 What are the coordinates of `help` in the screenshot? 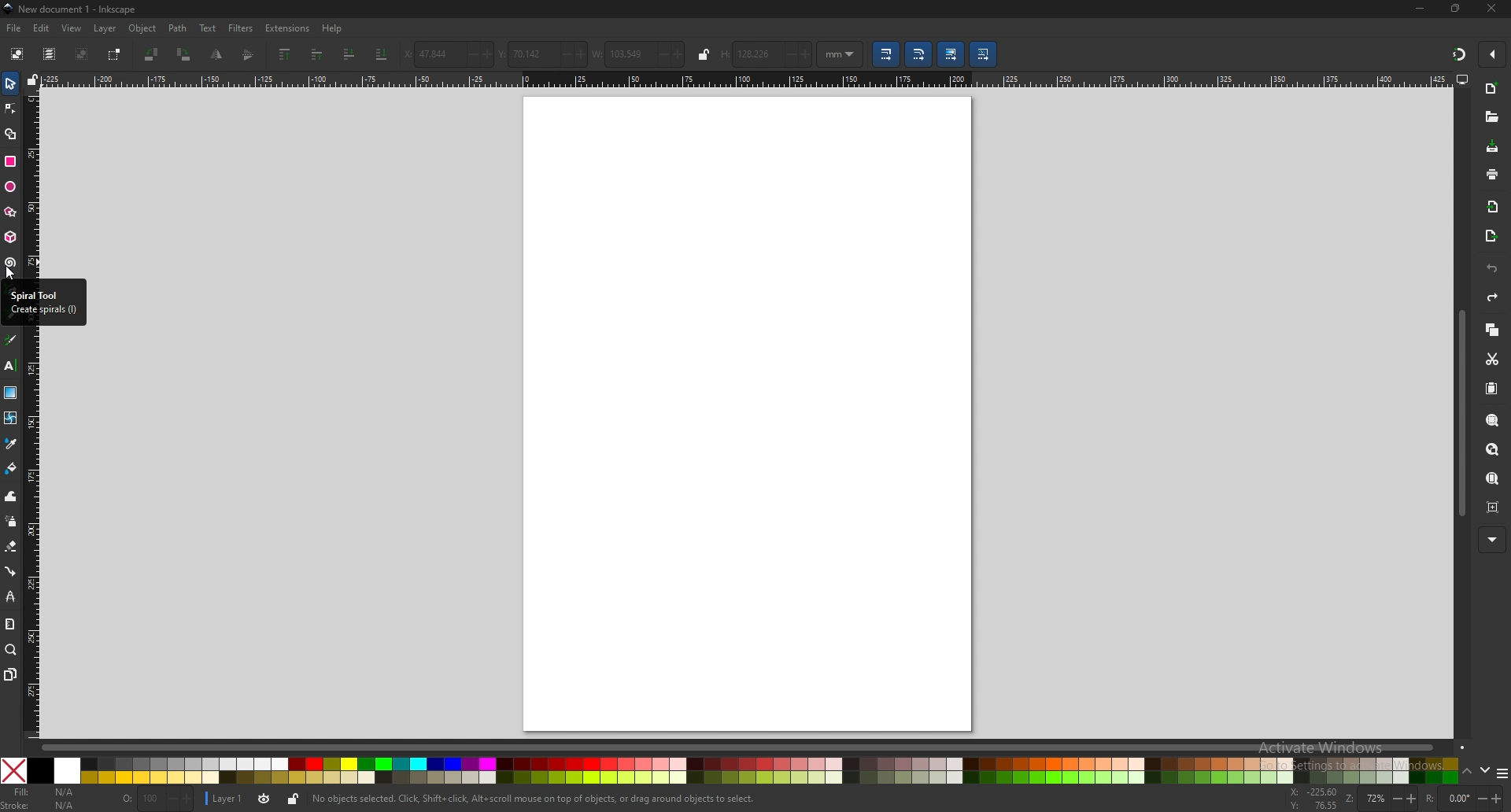 It's located at (332, 28).